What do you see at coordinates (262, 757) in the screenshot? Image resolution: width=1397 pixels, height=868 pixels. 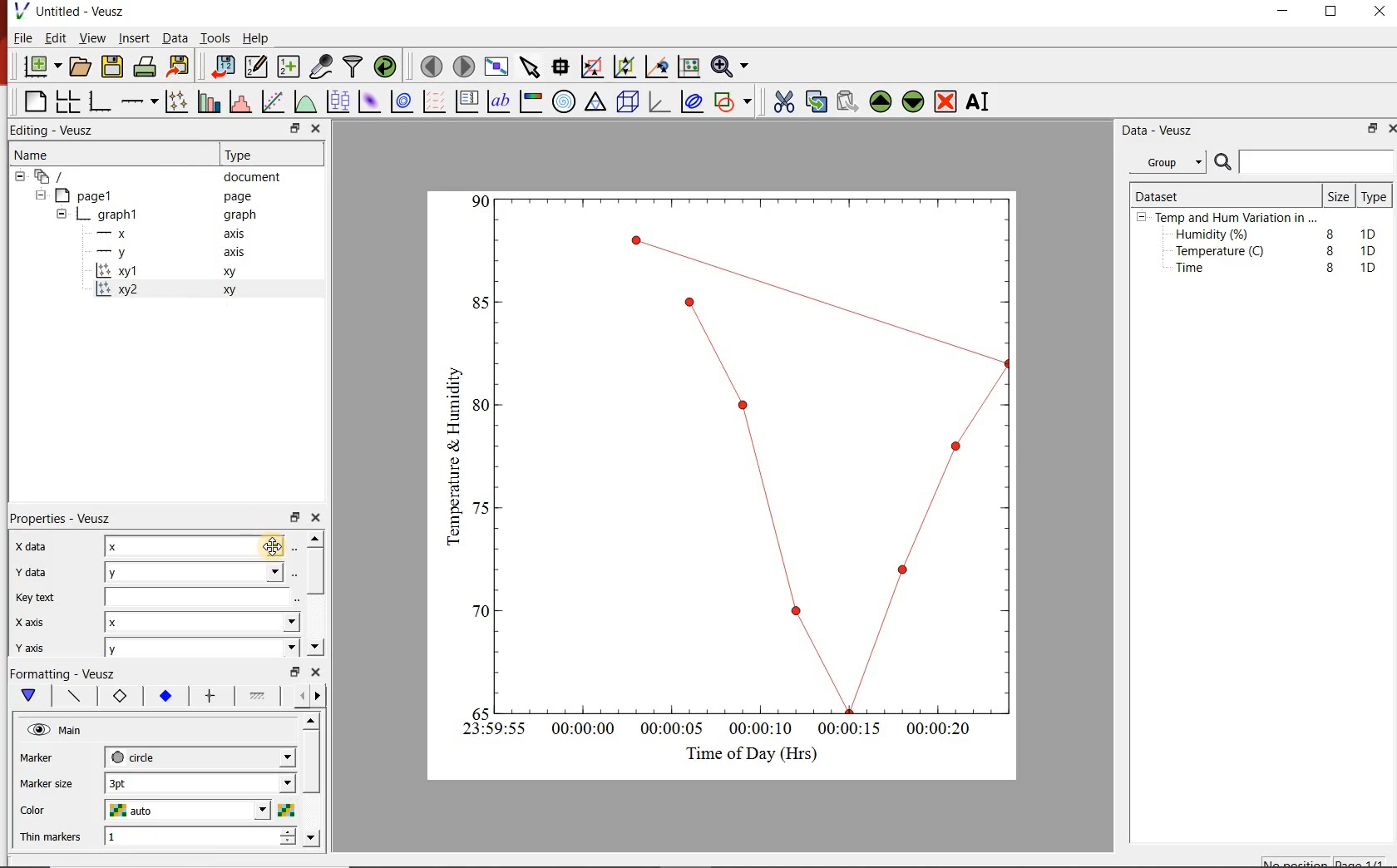 I see `Marker dropdown` at bounding box center [262, 757].